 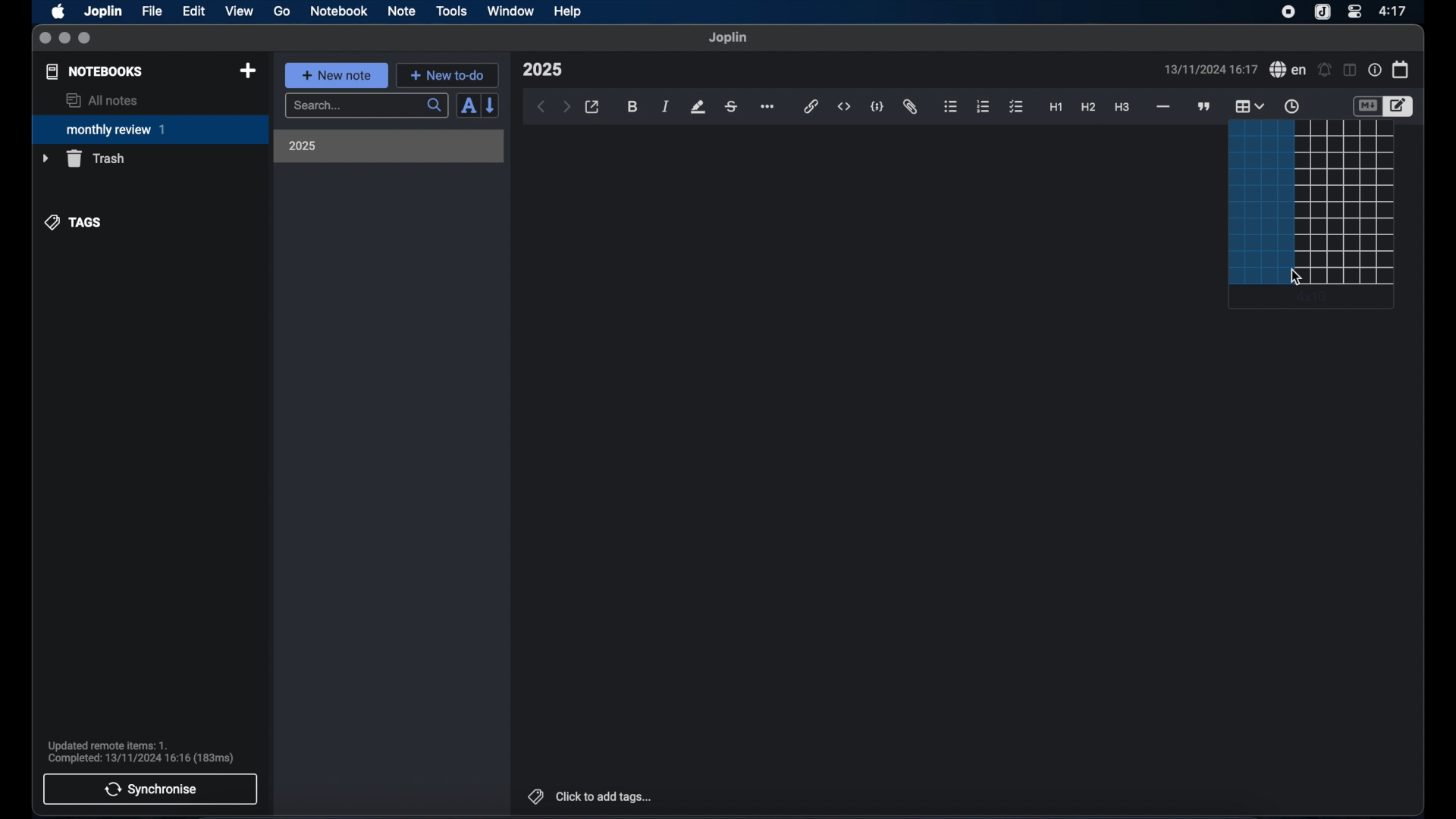 What do you see at coordinates (102, 100) in the screenshot?
I see `all notes` at bounding box center [102, 100].